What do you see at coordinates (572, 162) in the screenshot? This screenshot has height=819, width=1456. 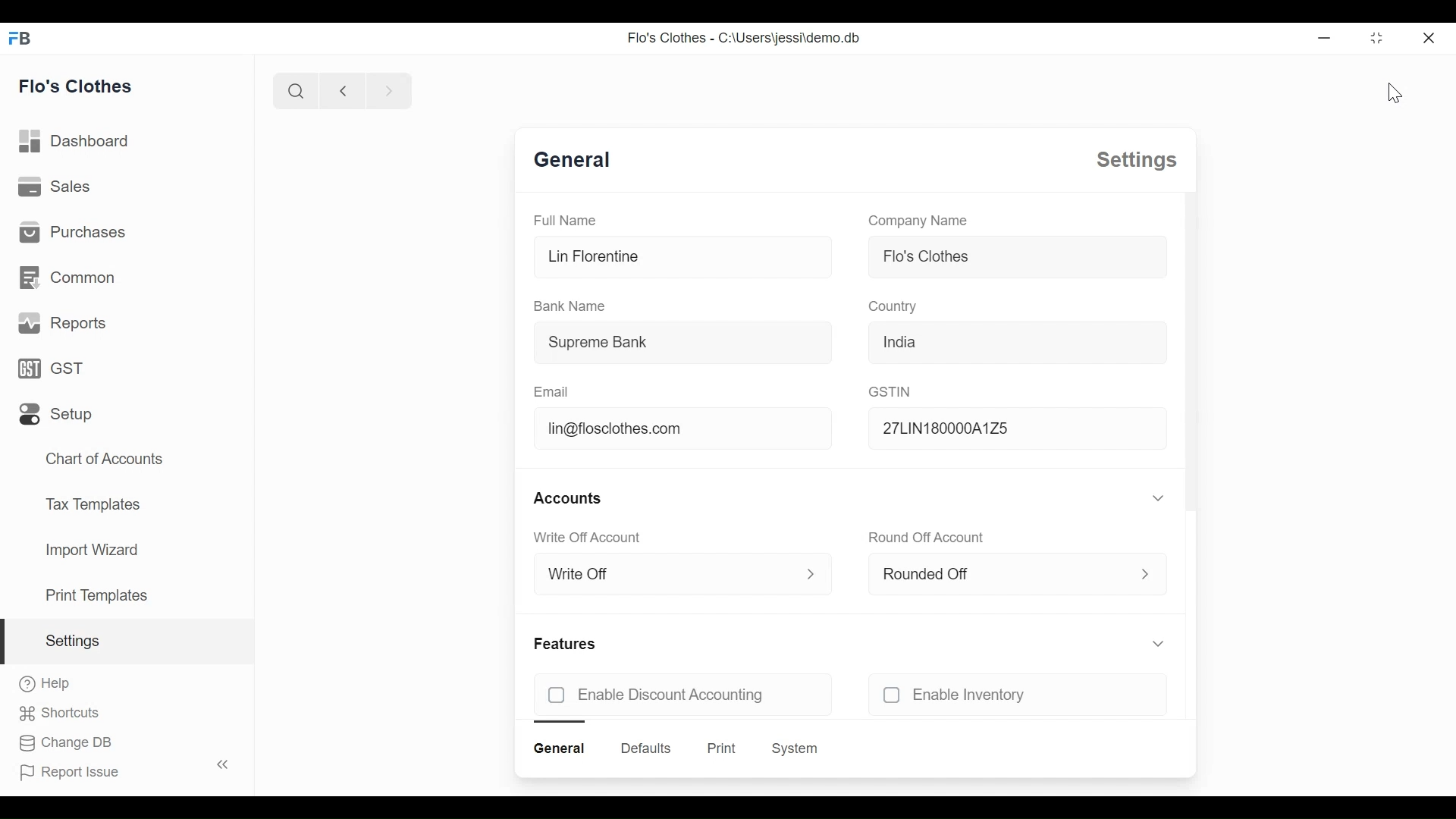 I see `General` at bounding box center [572, 162].